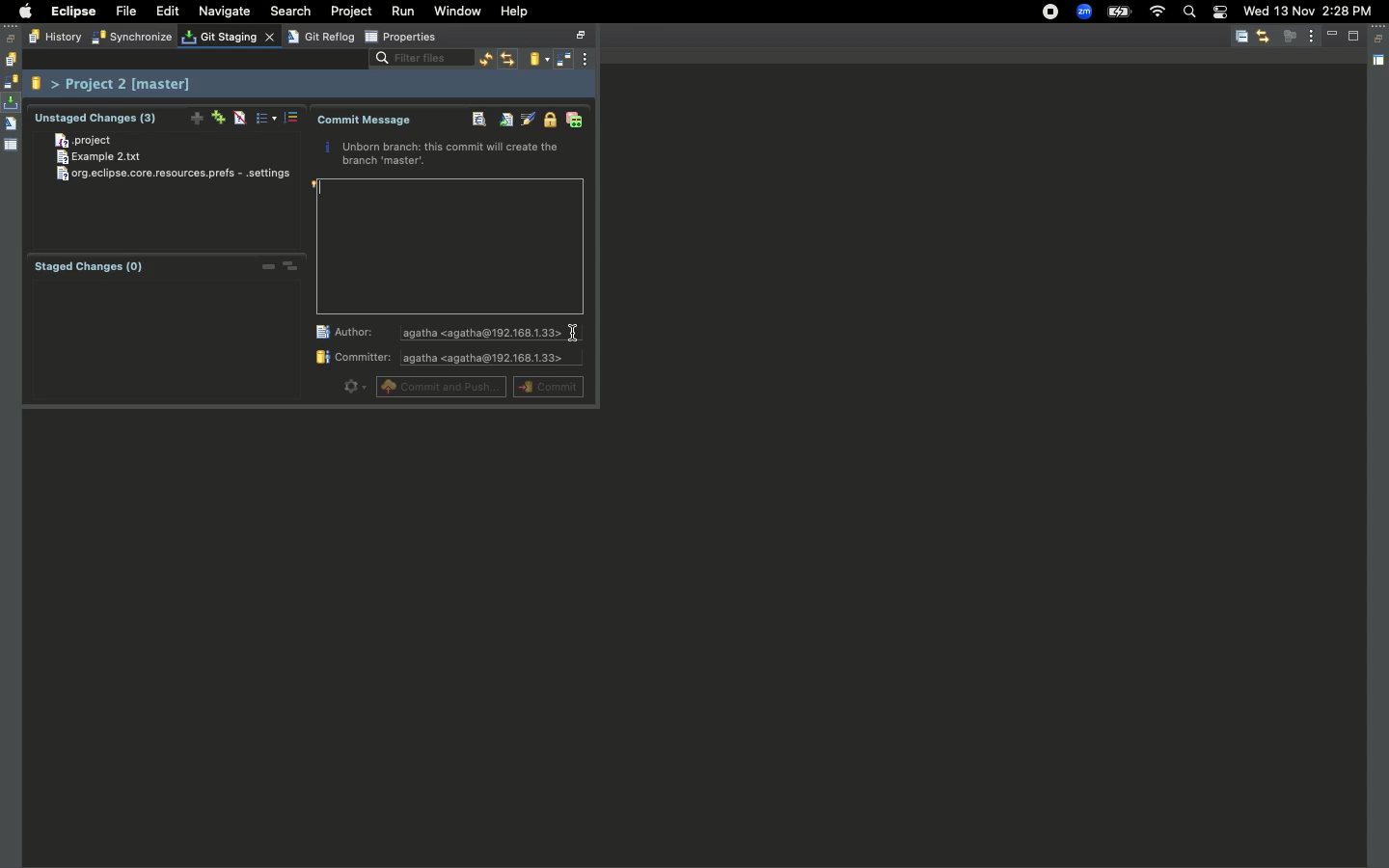  I want to click on Git staging, so click(224, 37).